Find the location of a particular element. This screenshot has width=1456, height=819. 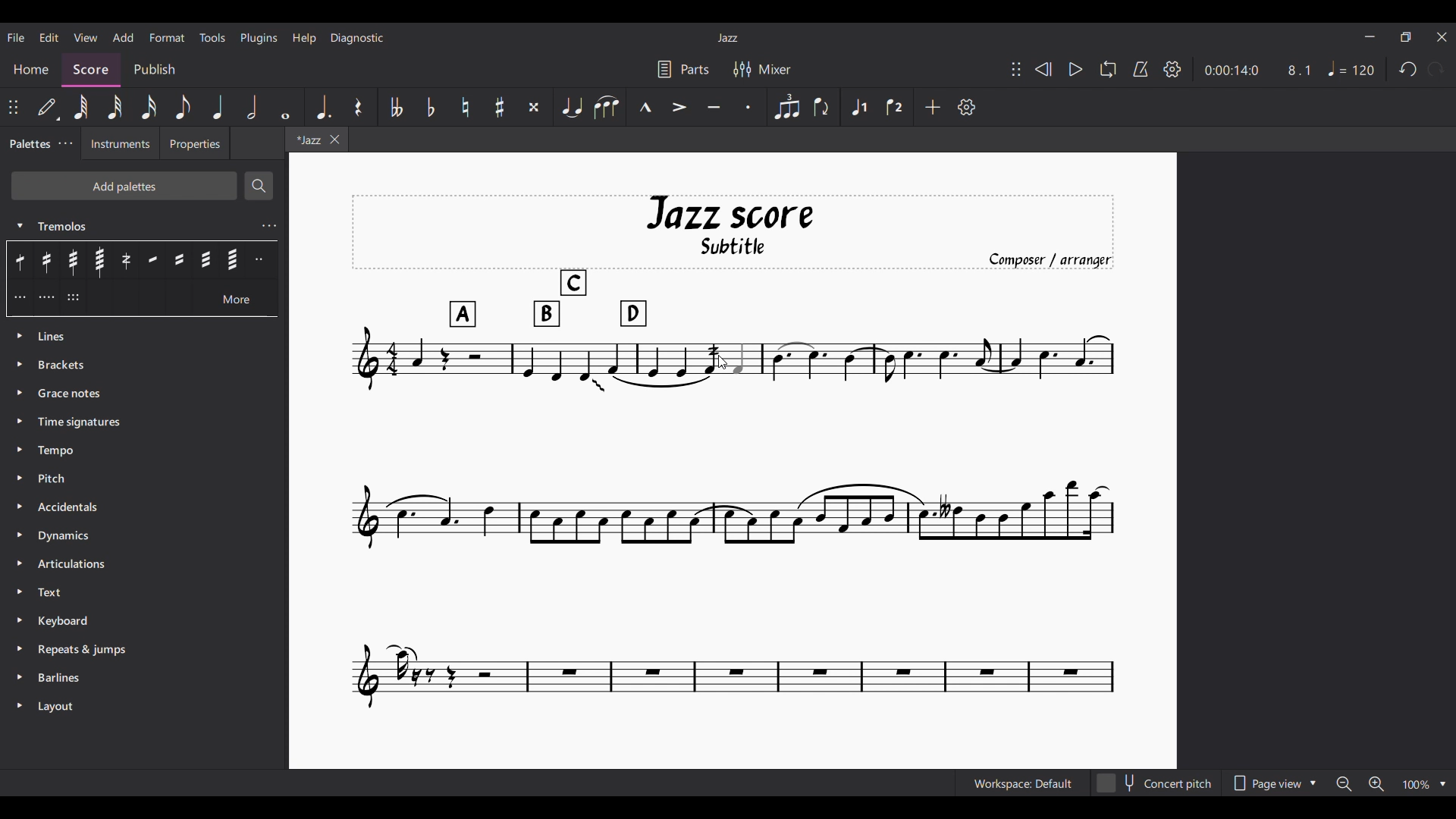

8.1 is located at coordinates (1299, 70).